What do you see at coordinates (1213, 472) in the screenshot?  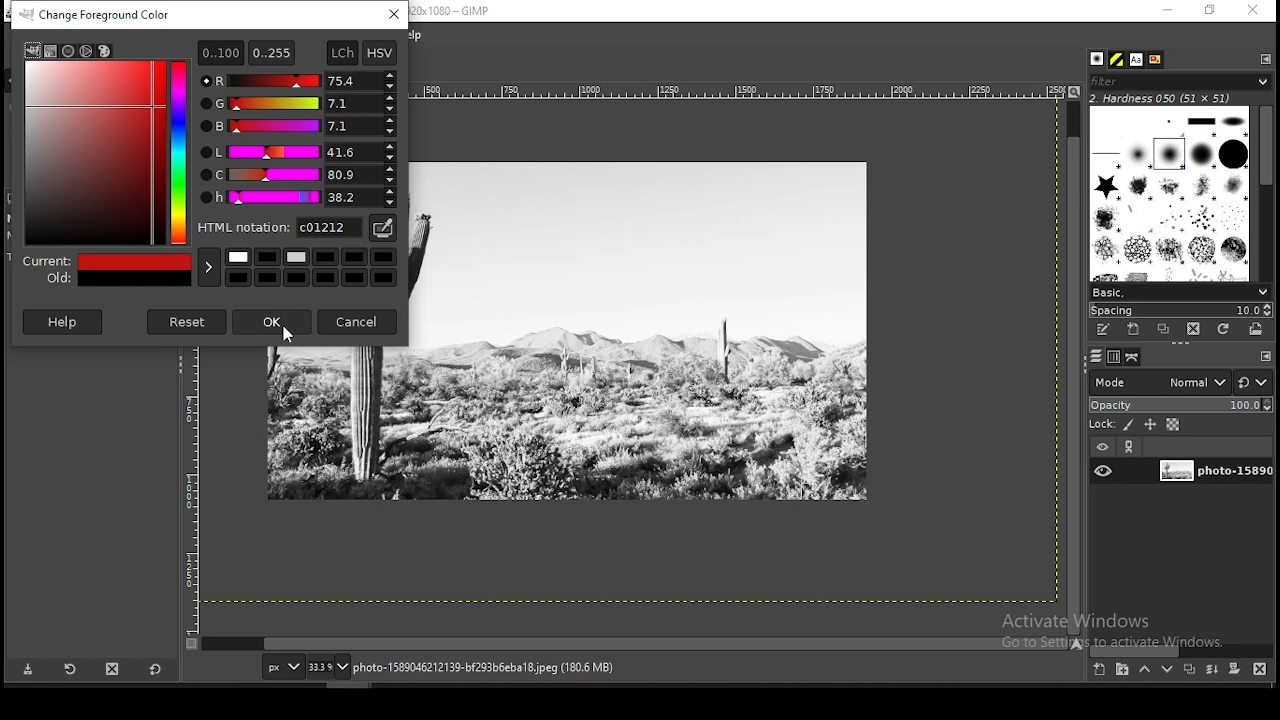 I see `layer` at bounding box center [1213, 472].